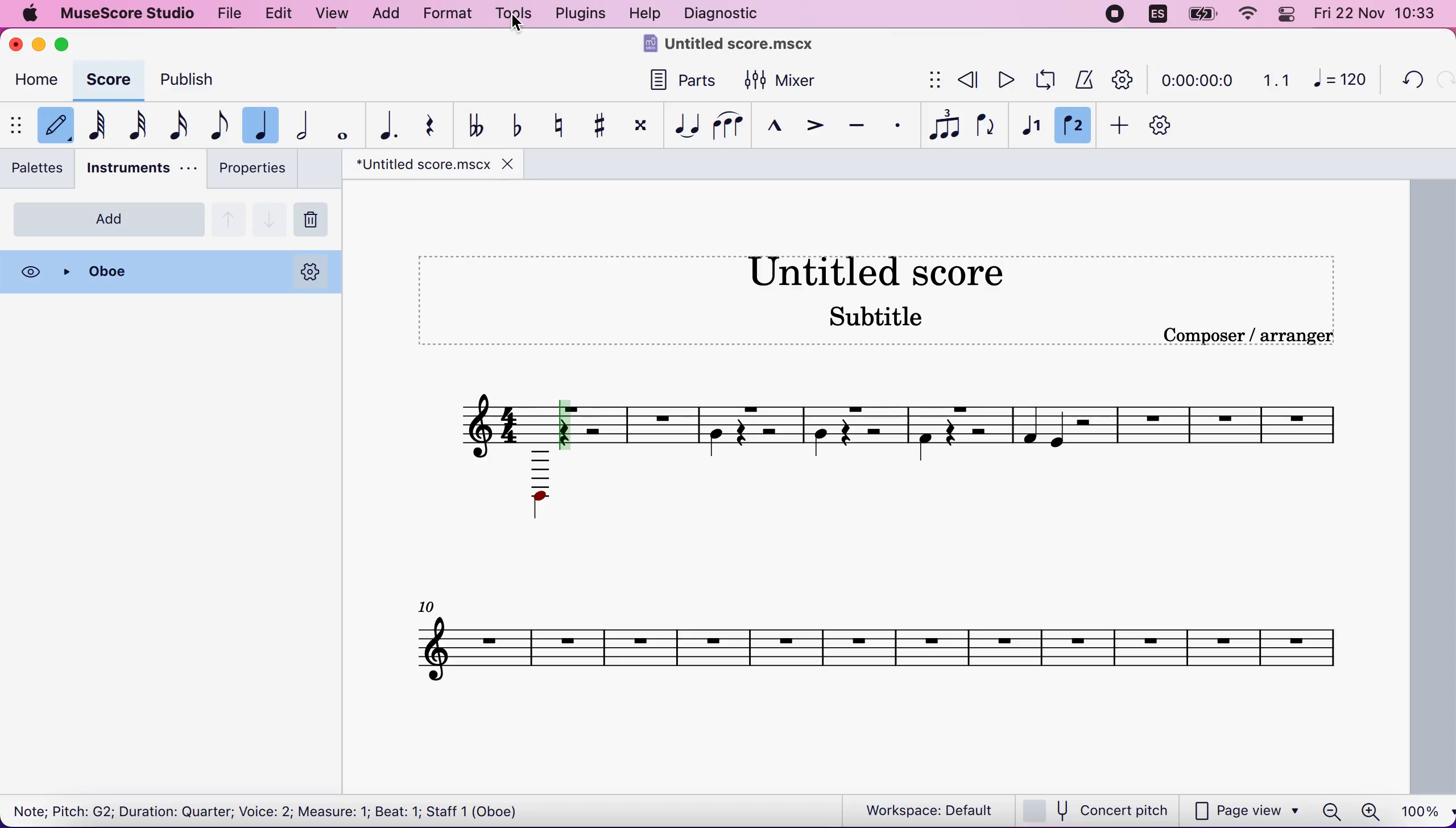  Describe the element at coordinates (310, 271) in the screenshot. I see `options` at that location.